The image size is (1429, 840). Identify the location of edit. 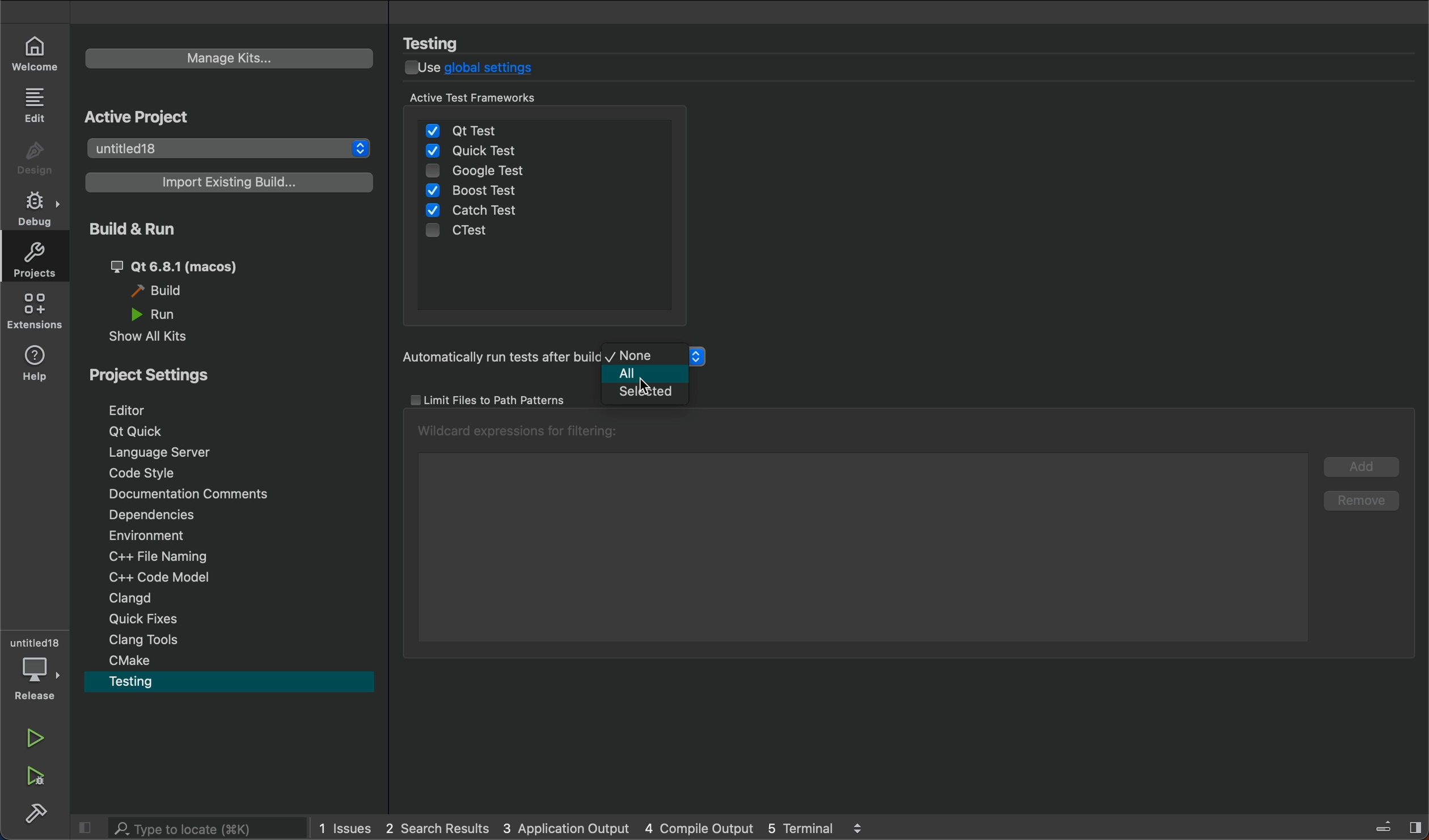
(38, 106).